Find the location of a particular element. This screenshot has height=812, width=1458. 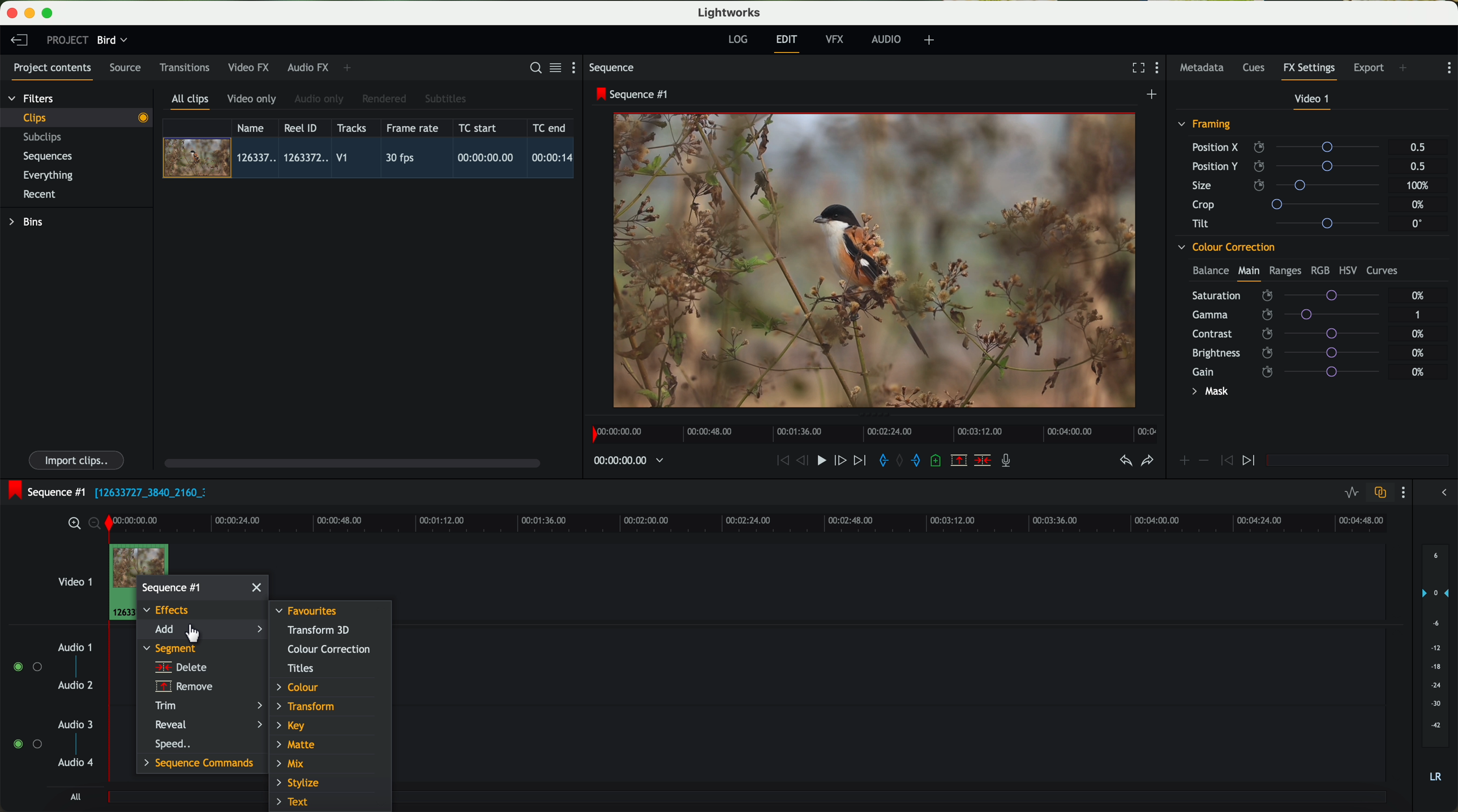

mask is located at coordinates (1208, 393).